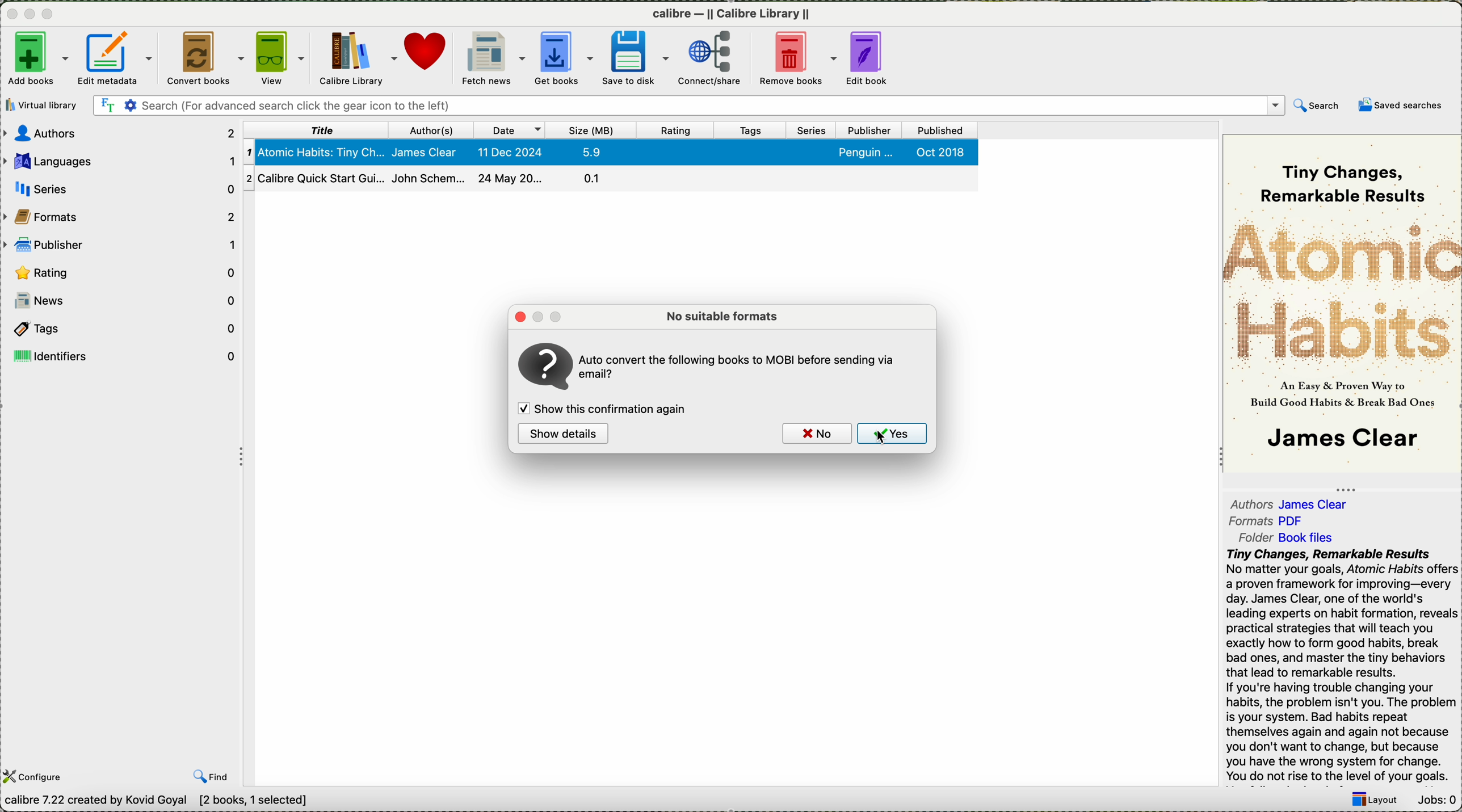  What do you see at coordinates (1269, 522) in the screenshot?
I see `format` at bounding box center [1269, 522].